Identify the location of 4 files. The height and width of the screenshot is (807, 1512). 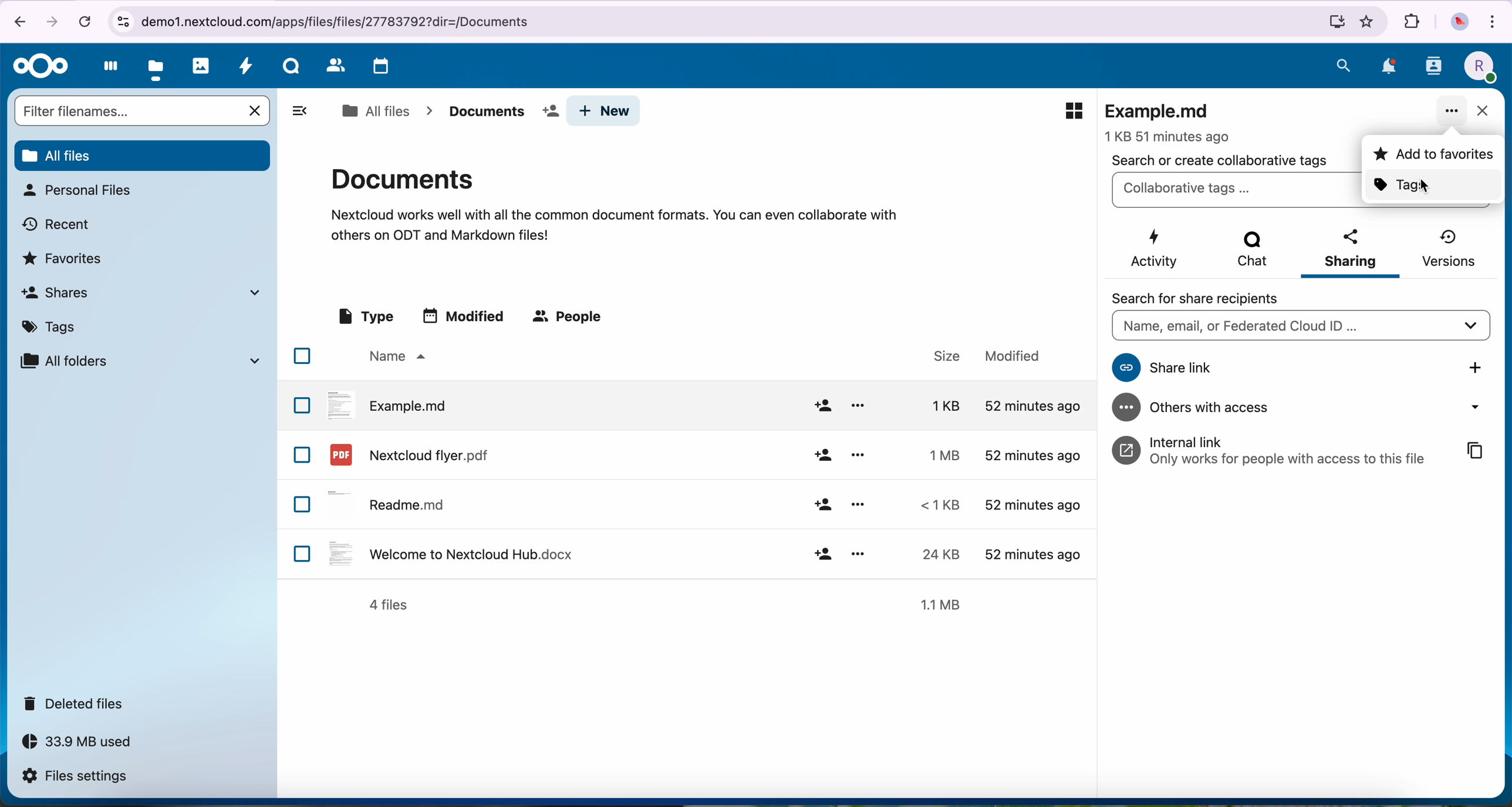
(389, 605).